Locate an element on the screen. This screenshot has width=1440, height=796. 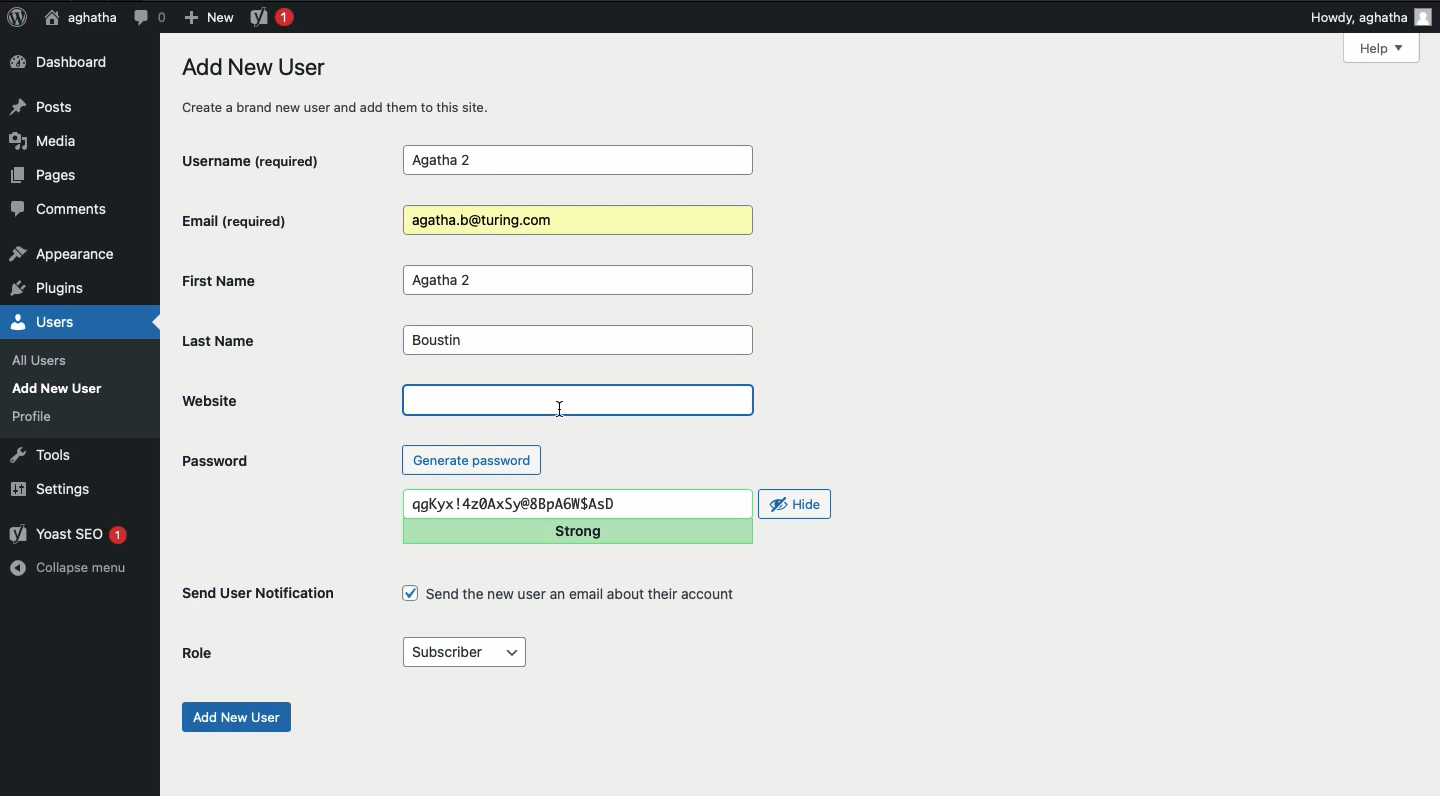
Username (required) is located at coordinates (269, 159).